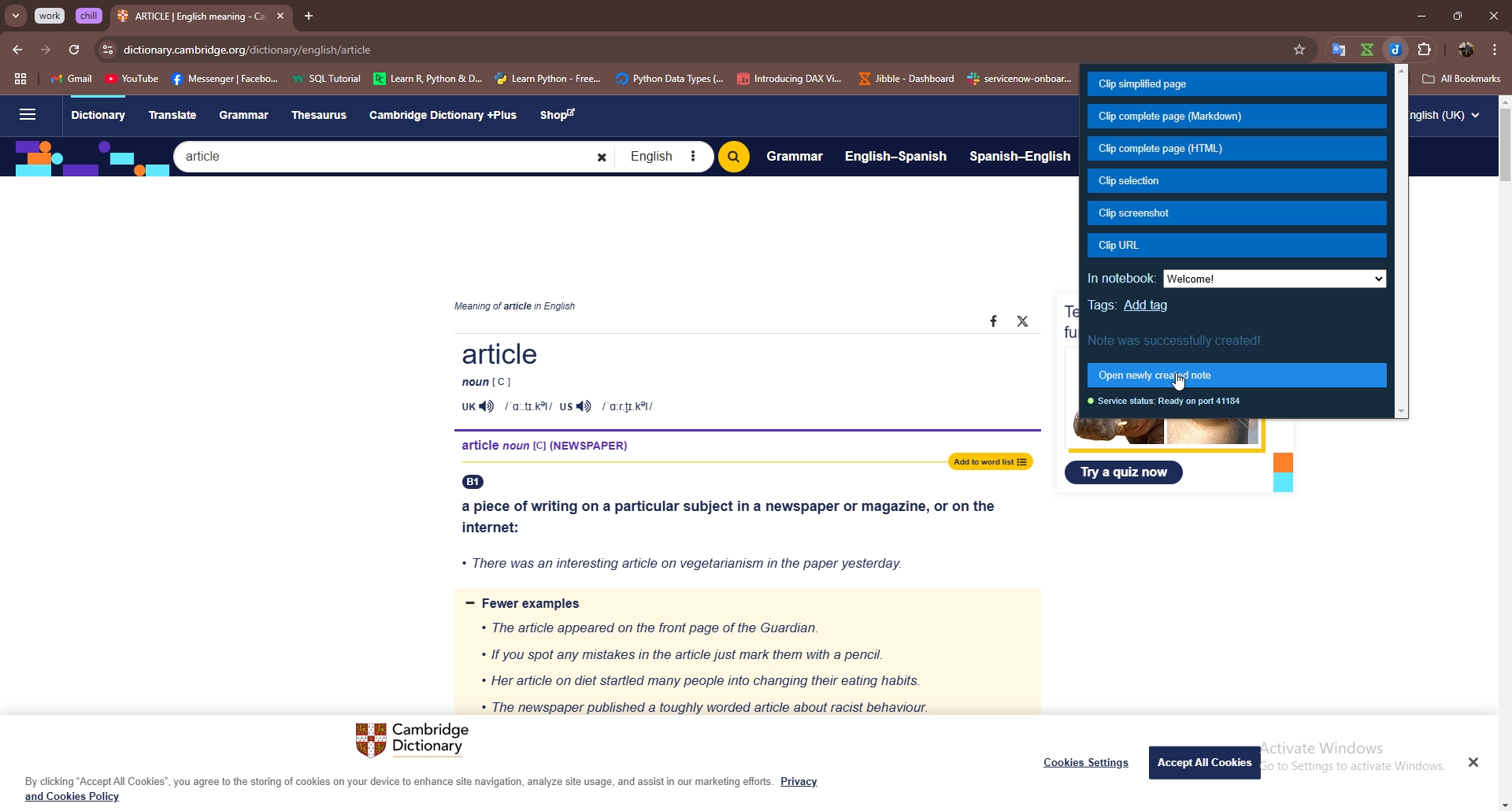 Image resolution: width=1512 pixels, height=811 pixels. What do you see at coordinates (896, 155) in the screenshot?
I see `English-Spanish` at bounding box center [896, 155].